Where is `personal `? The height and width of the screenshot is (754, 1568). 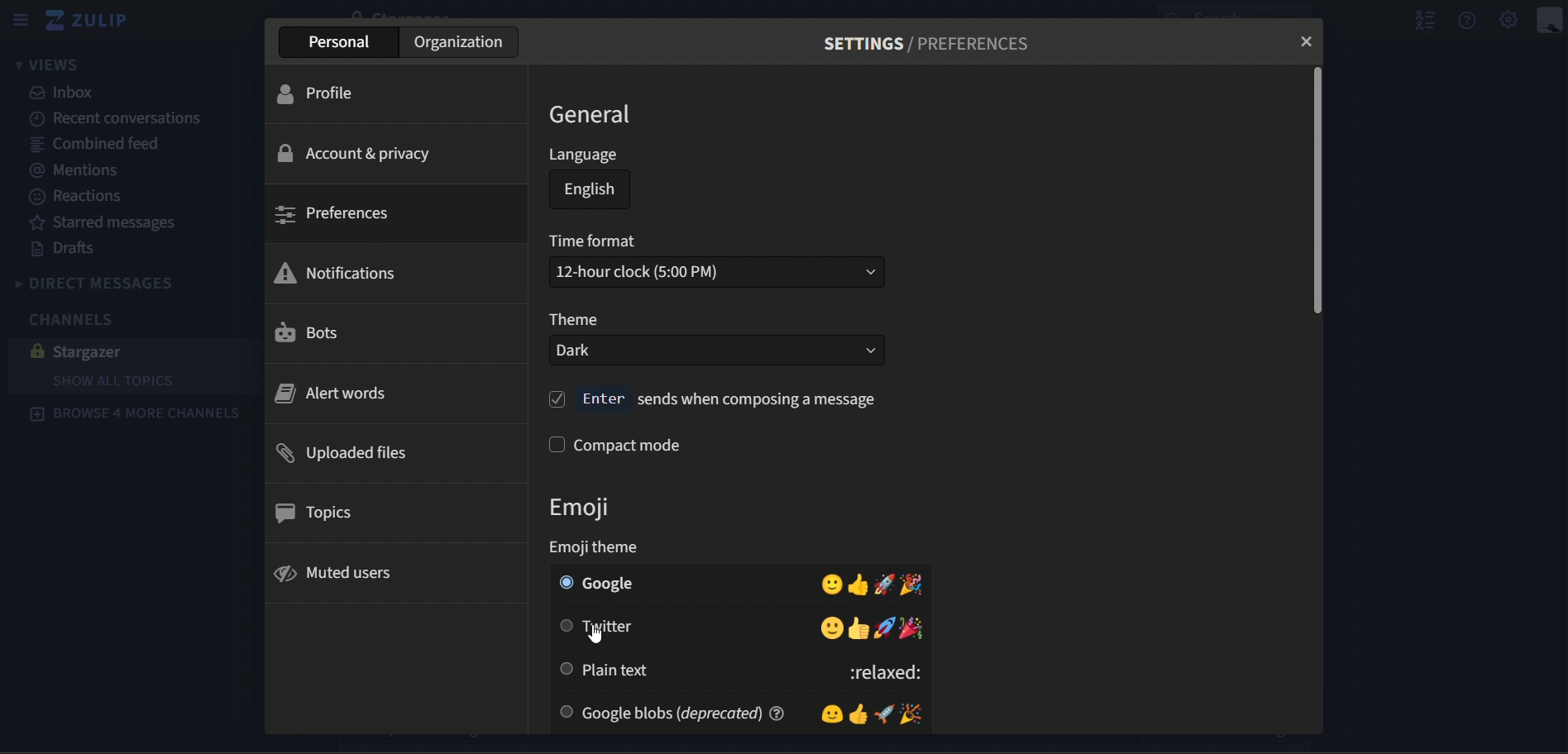 personal  is located at coordinates (341, 43).